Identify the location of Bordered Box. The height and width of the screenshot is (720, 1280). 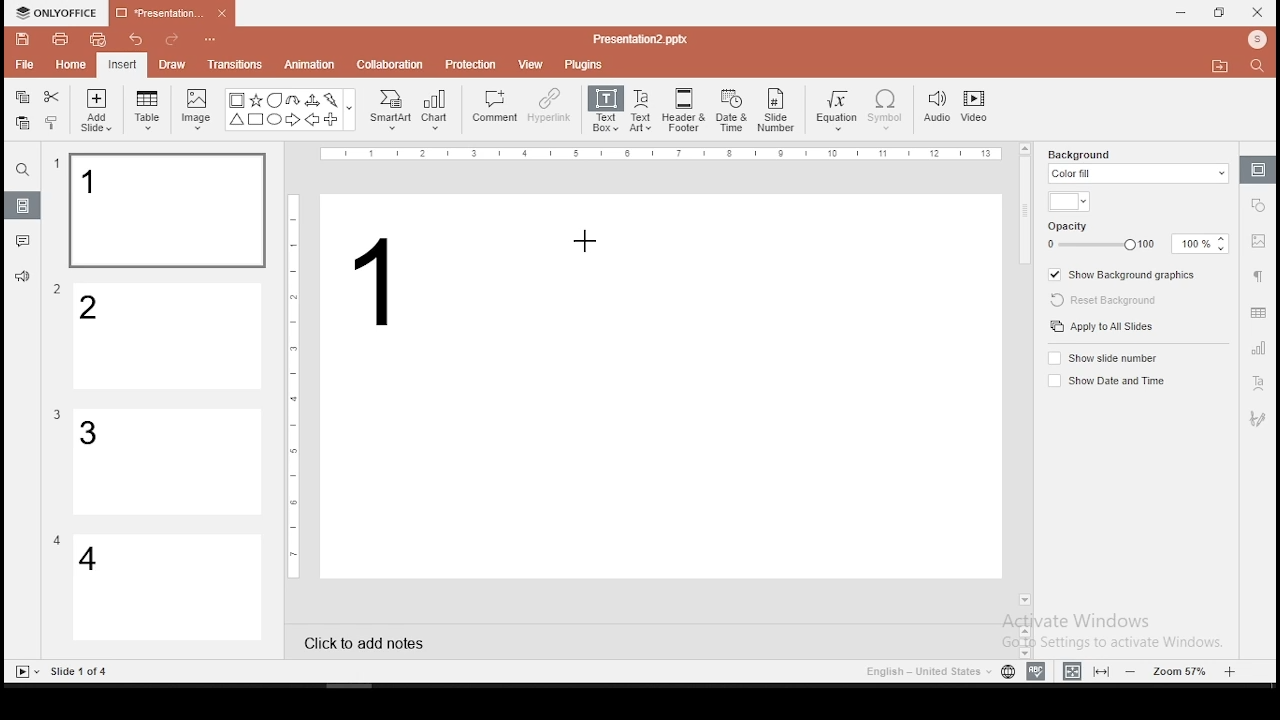
(237, 100).